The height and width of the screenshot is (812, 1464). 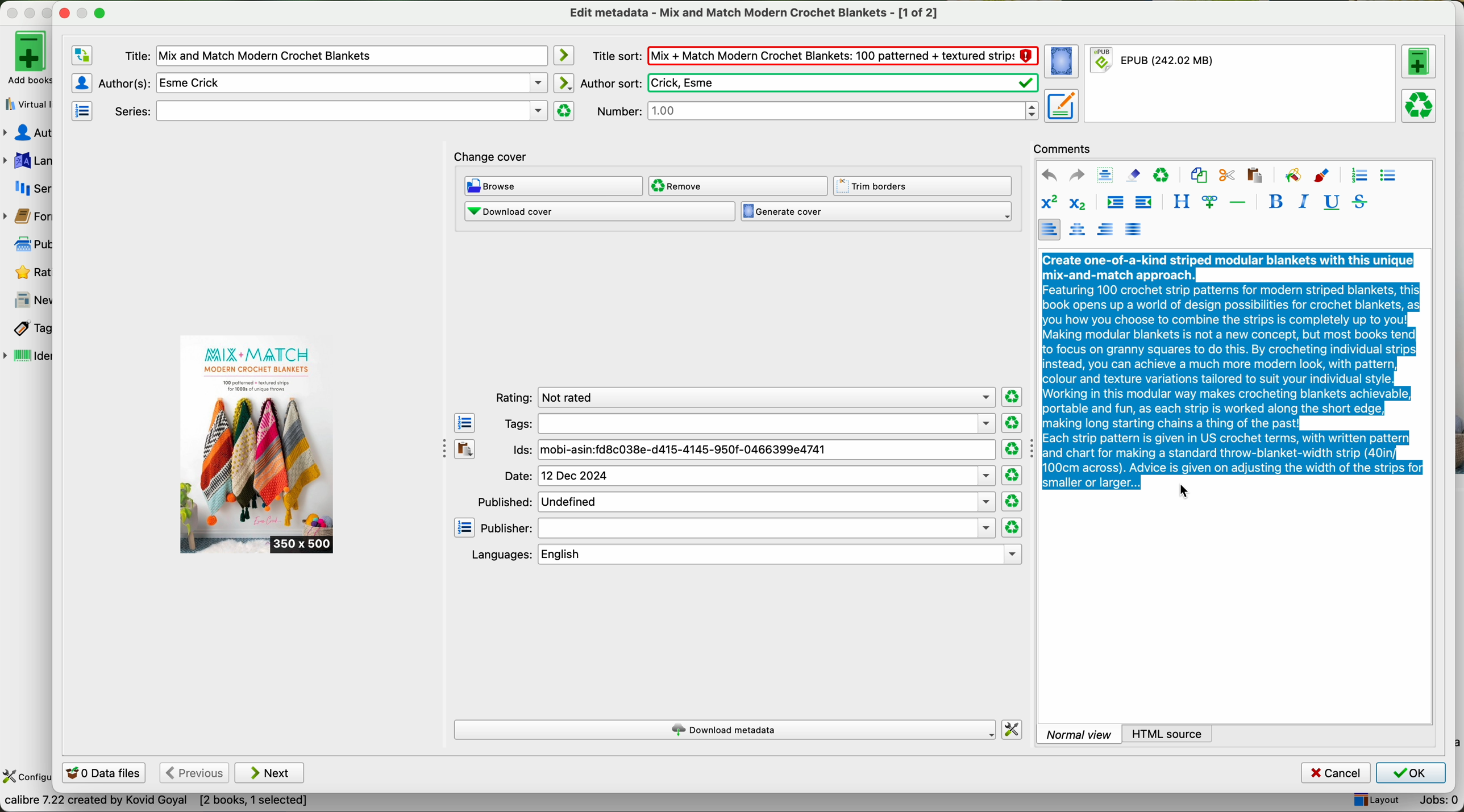 What do you see at coordinates (756, 13) in the screenshot?
I see `edit metadata` at bounding box center [756, 13].